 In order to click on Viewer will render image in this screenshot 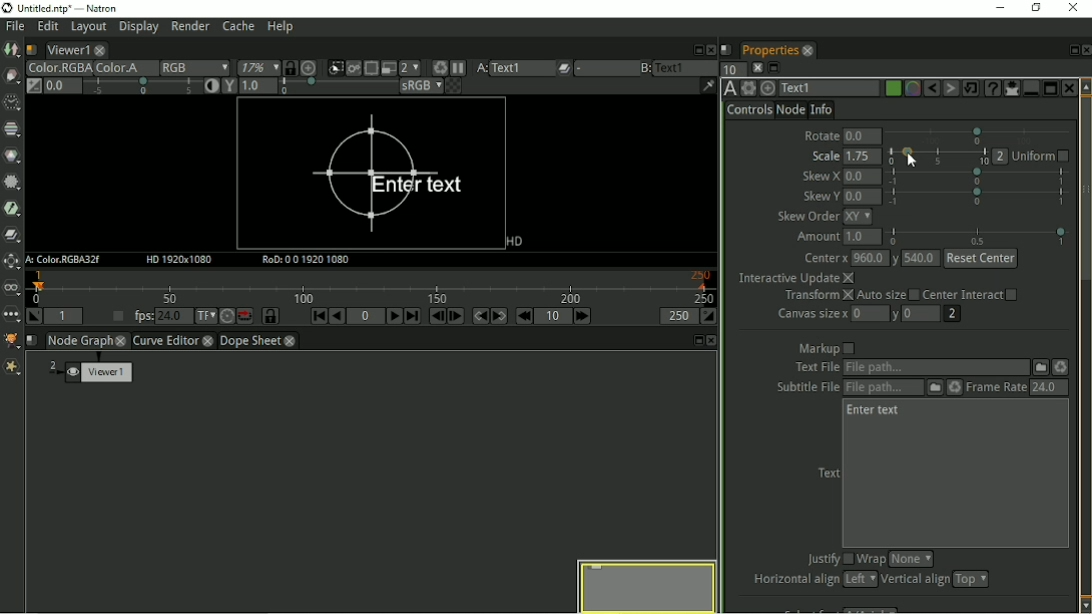, I will do `click(352, 68)`.